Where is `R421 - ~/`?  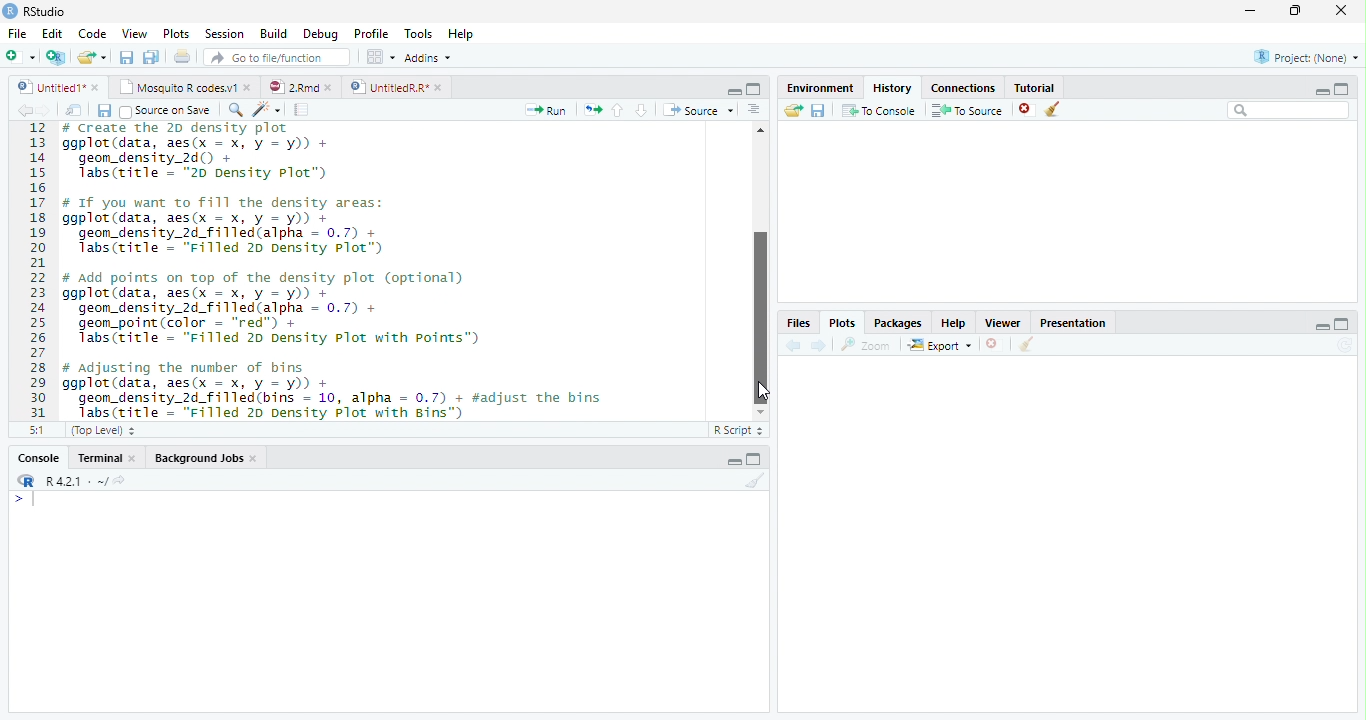
R421 - ~/ is located at coordinates (70, 481).